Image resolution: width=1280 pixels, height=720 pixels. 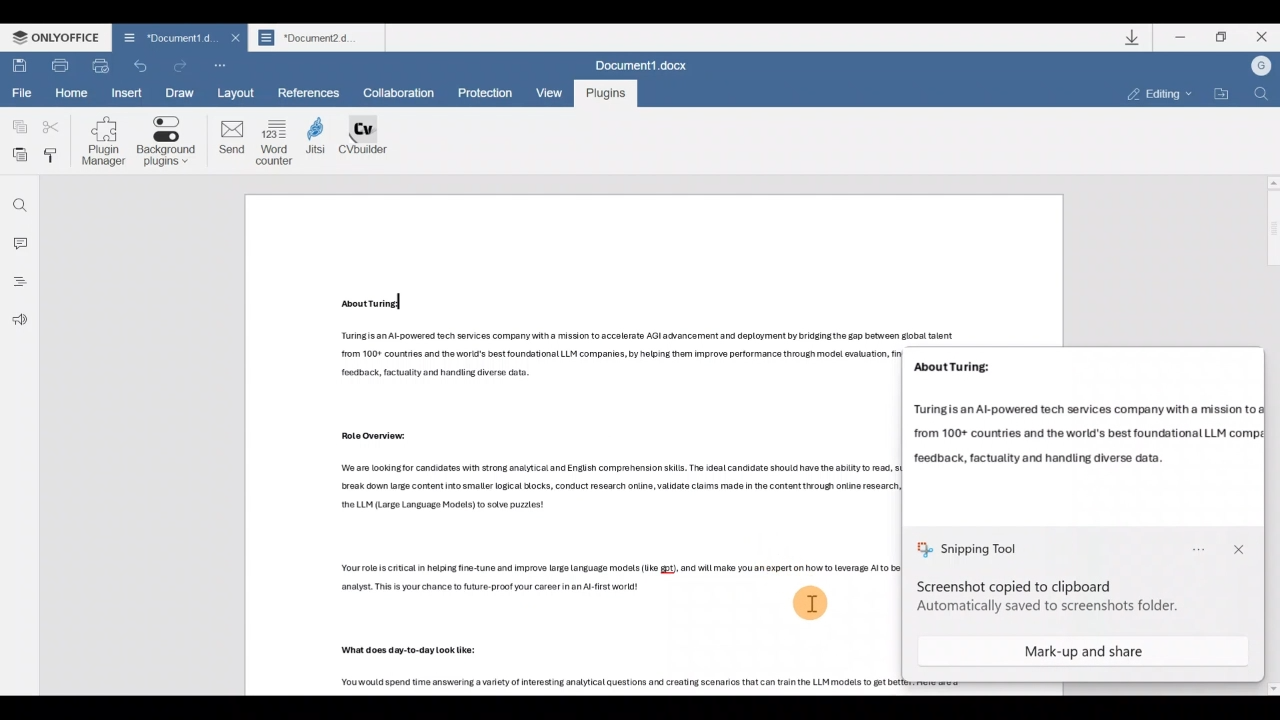 What do you see at coordinates (102, 143) in the screenshot?
I see `Plugin manager` at bounding box center [102, 143].